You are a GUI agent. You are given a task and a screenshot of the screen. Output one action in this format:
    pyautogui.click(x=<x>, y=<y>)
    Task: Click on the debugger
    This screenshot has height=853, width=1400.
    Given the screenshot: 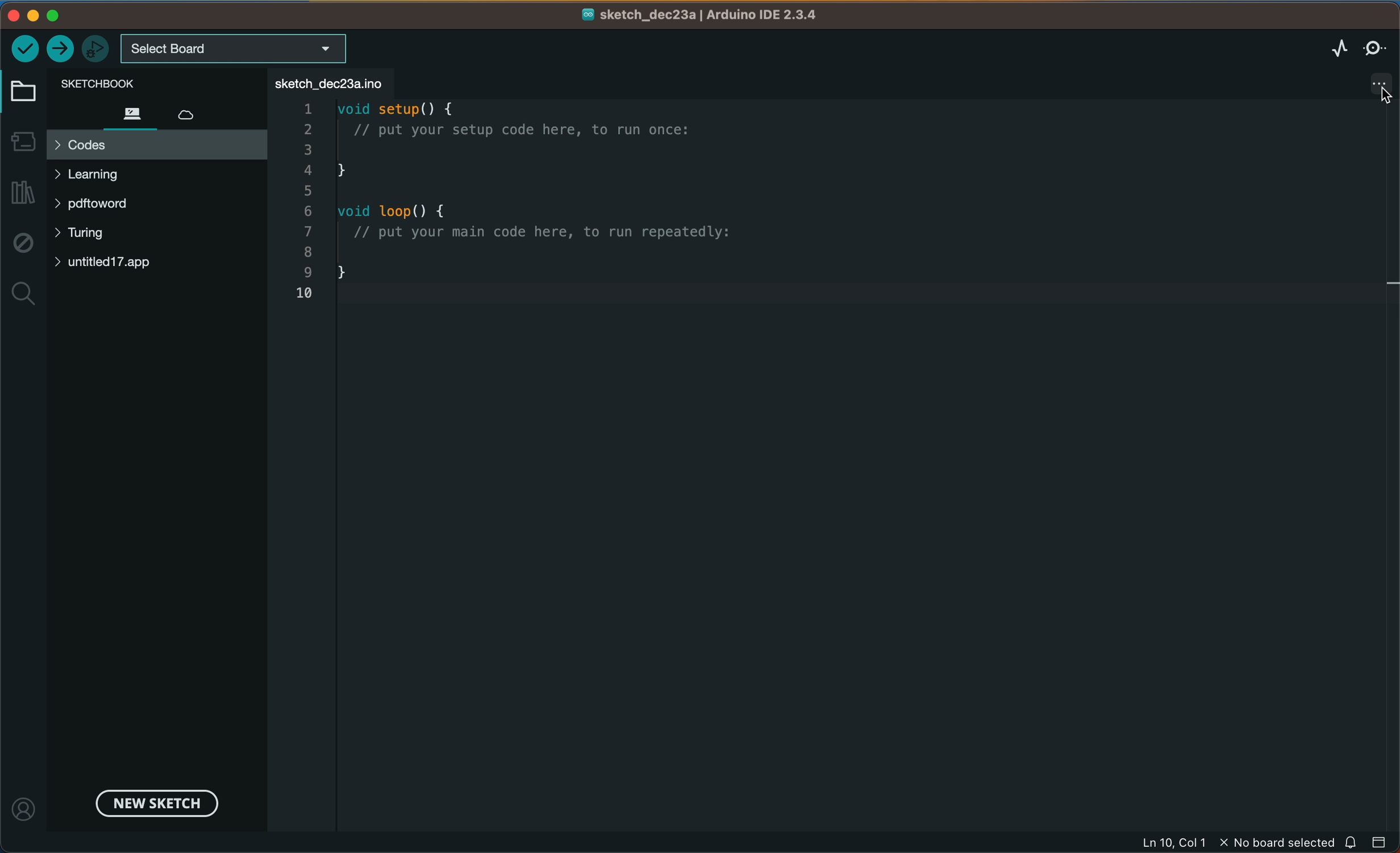 What is the action you would take?
    pyautogui.click(x=97, y=48)
    